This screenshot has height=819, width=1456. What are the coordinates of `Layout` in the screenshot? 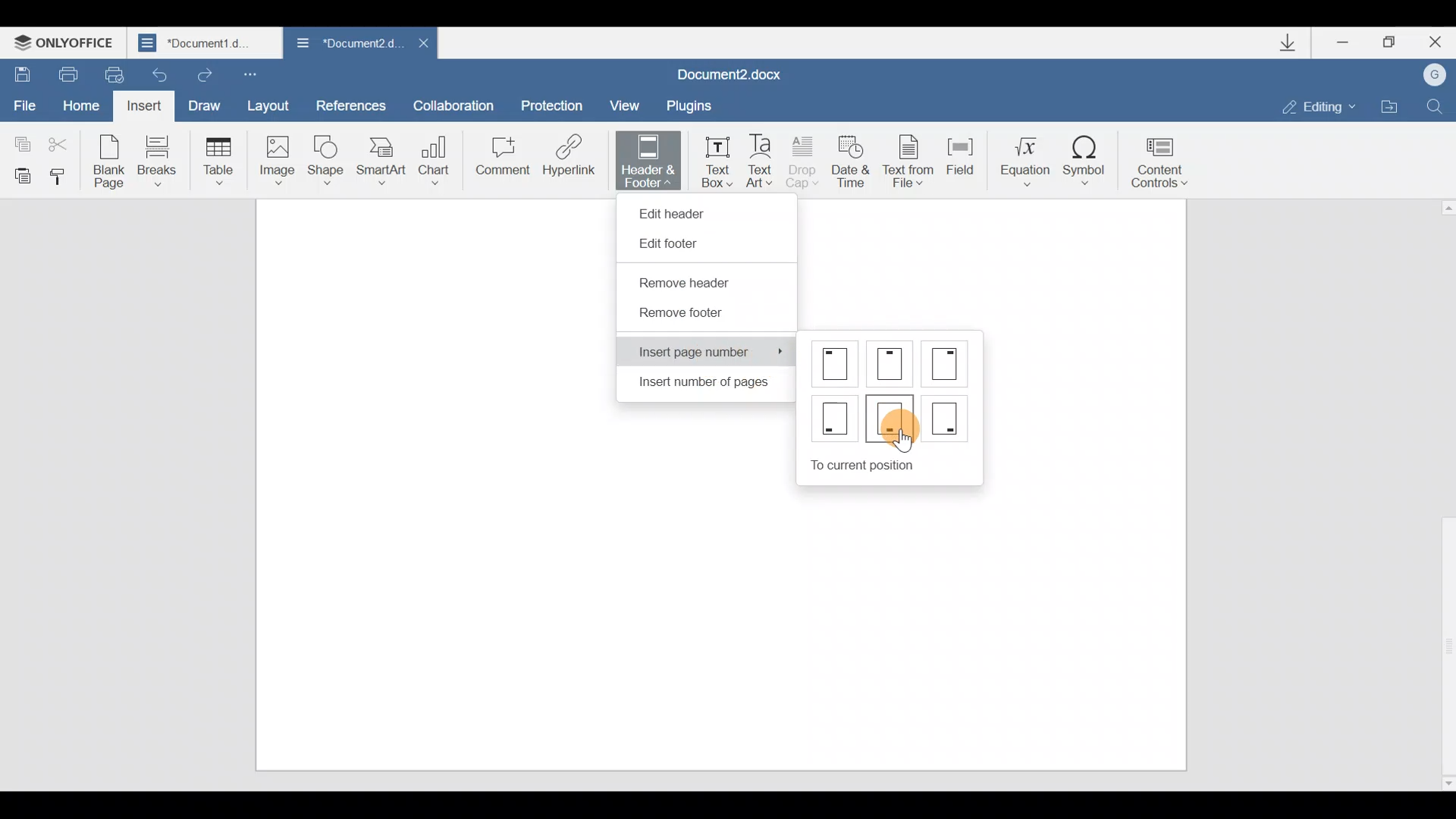 It's located at (273, 105).